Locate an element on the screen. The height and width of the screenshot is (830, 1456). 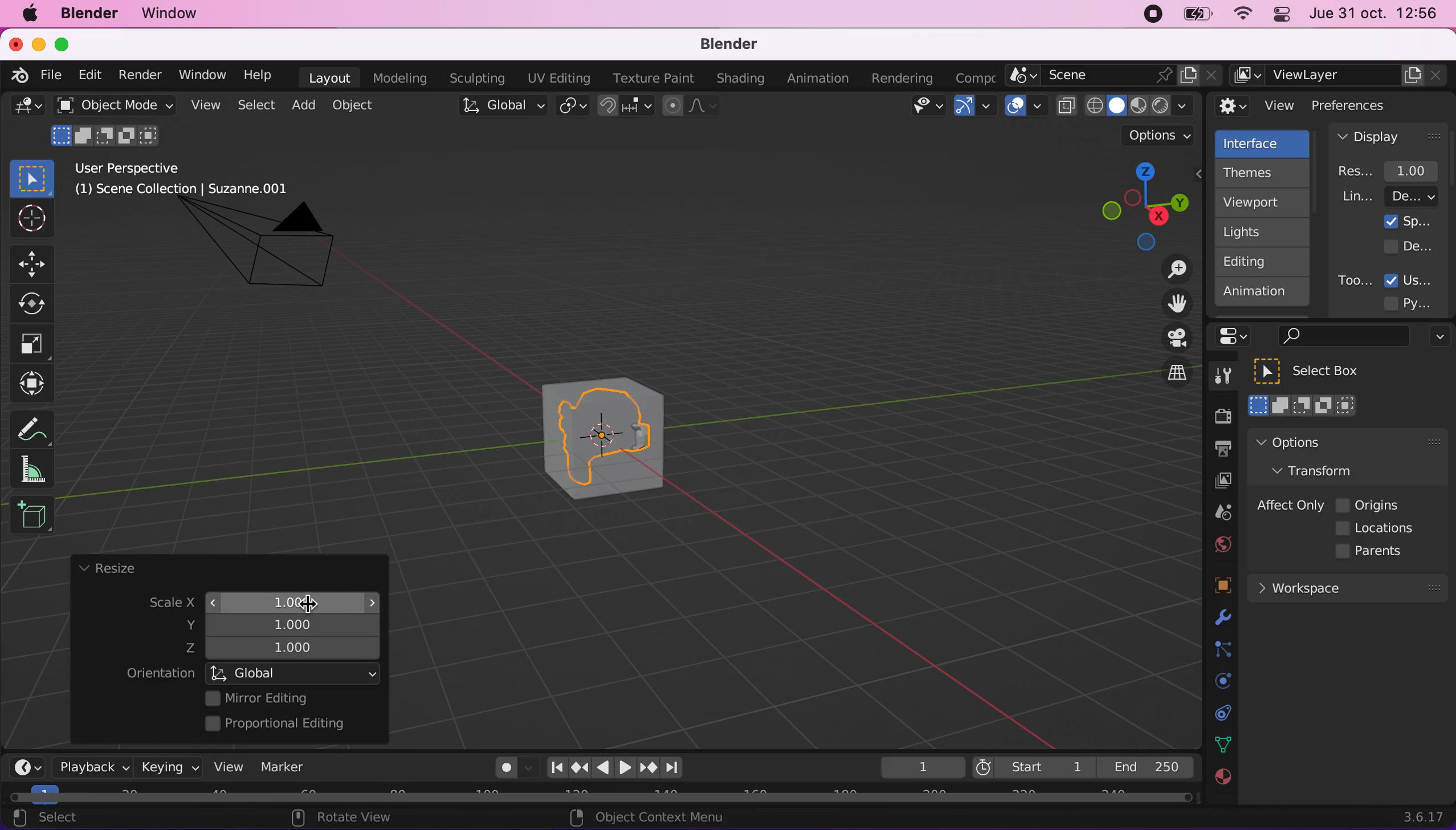
jump to keyframe is located at coordinates (580, 767).